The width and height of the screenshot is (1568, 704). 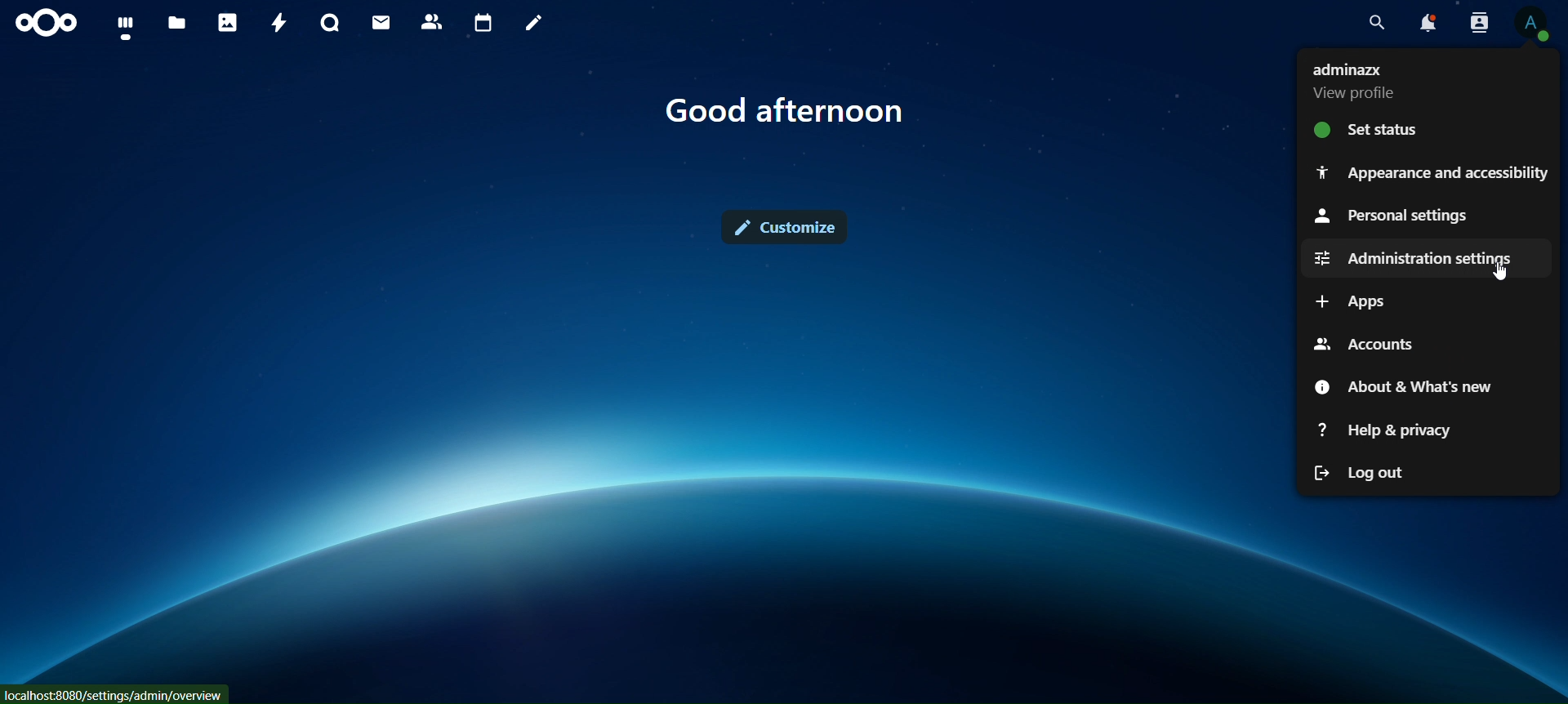 I want to click on photos, so click(x=229, y=23).